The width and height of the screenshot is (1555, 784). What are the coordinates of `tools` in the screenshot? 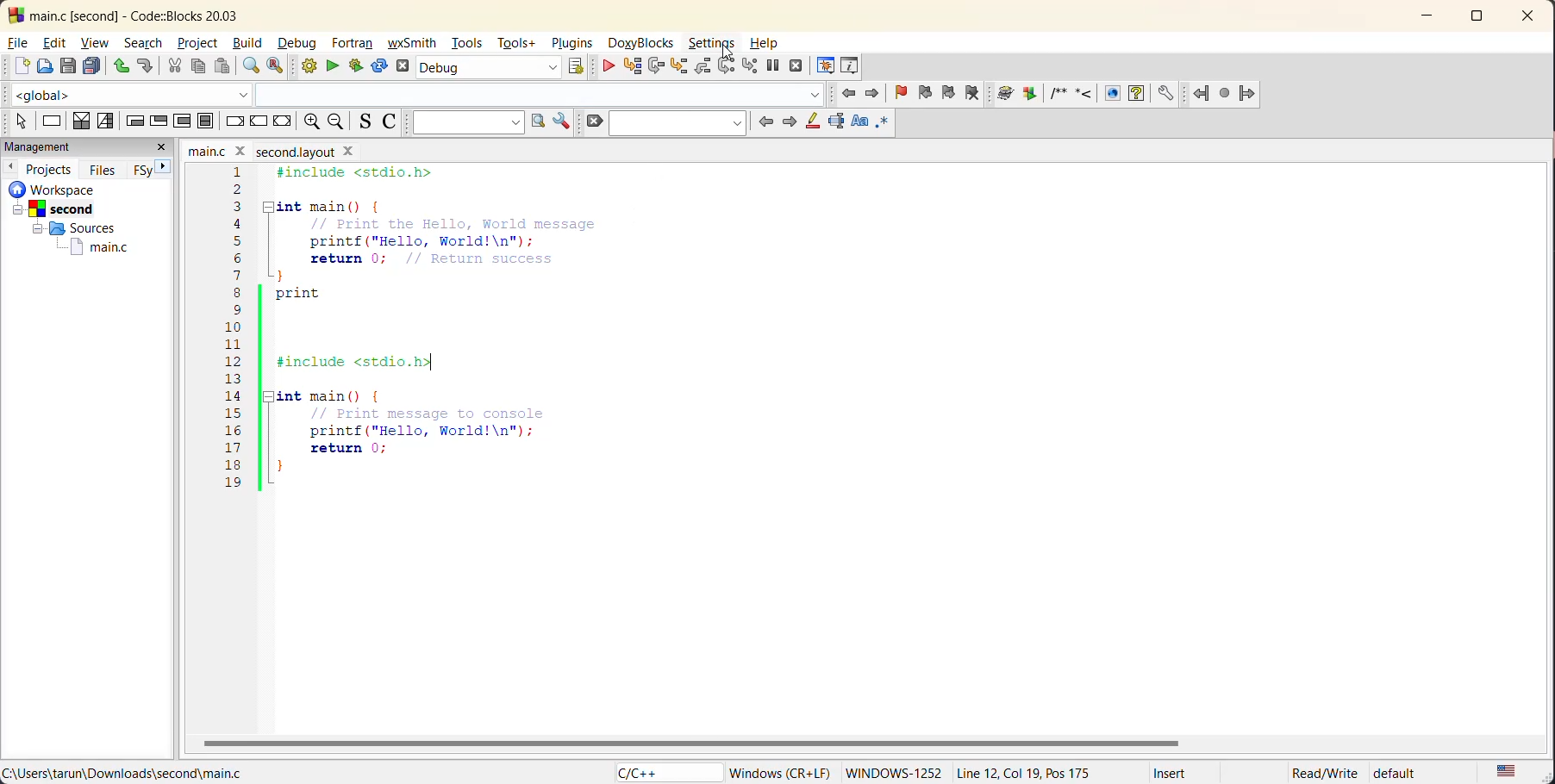 It's located at (466, 42).